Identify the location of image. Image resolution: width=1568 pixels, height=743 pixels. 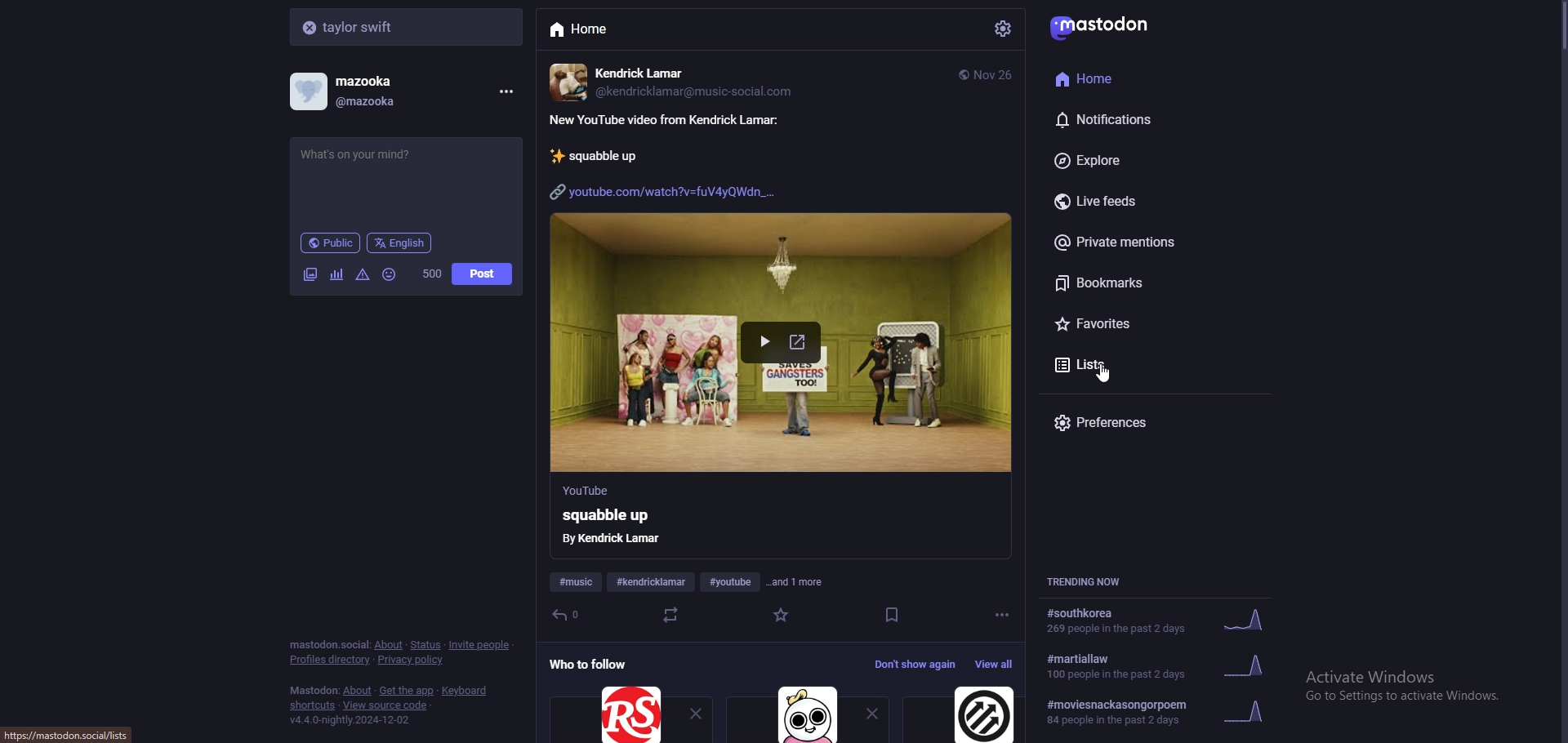
(310, 274).